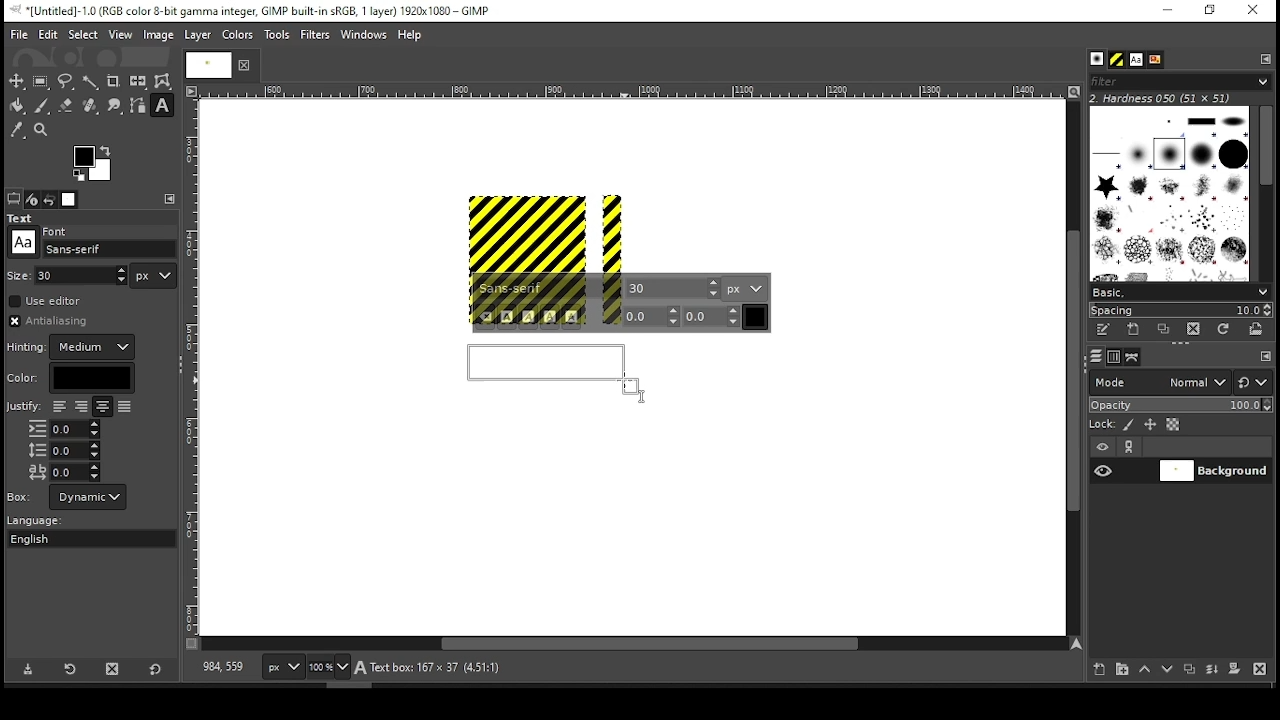 This screenshot has height=720, width=1280. I want to click on move layer one step up, so click(1145, 671).